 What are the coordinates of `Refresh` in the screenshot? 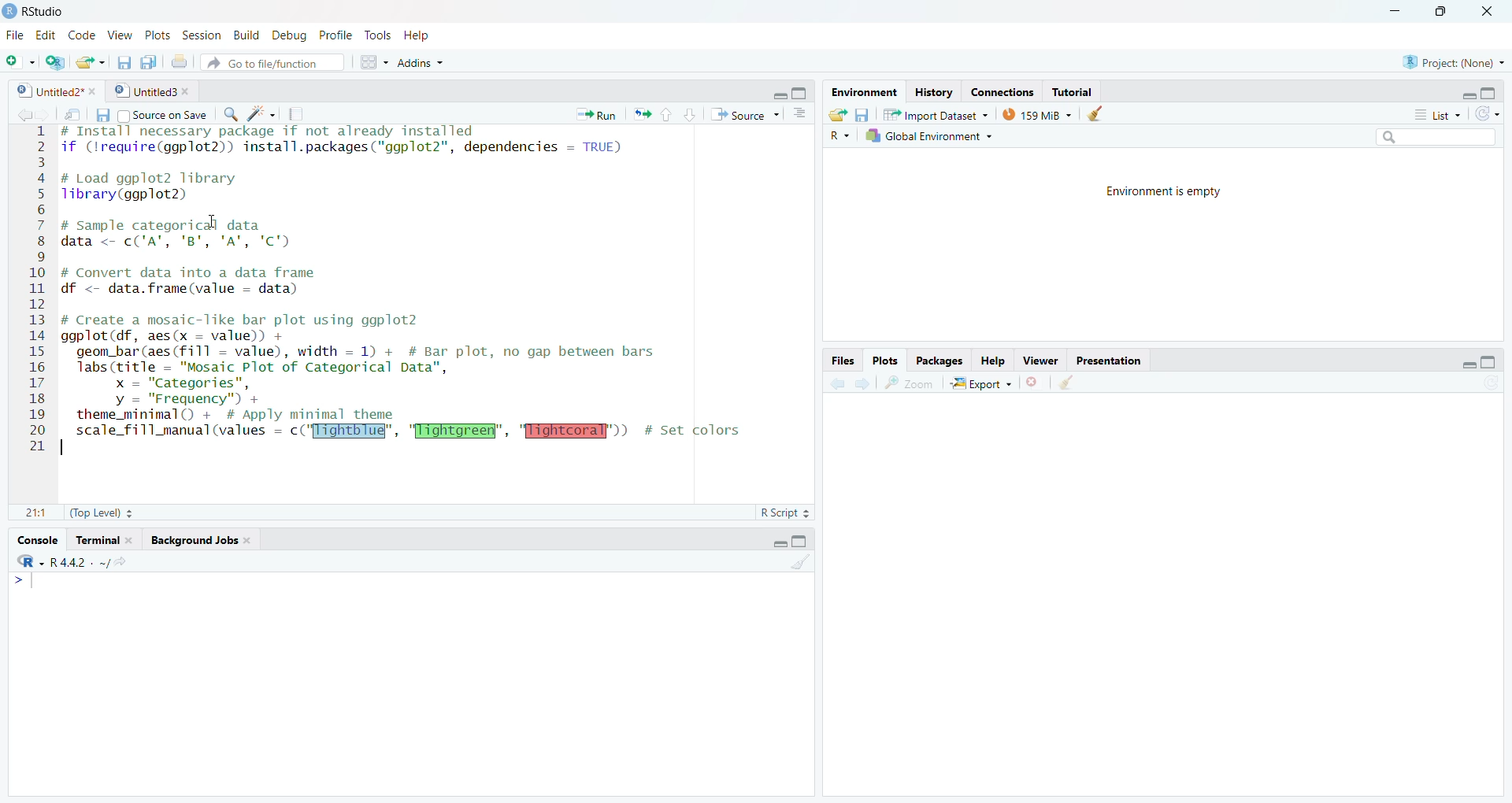 It's located at (1490, 383).